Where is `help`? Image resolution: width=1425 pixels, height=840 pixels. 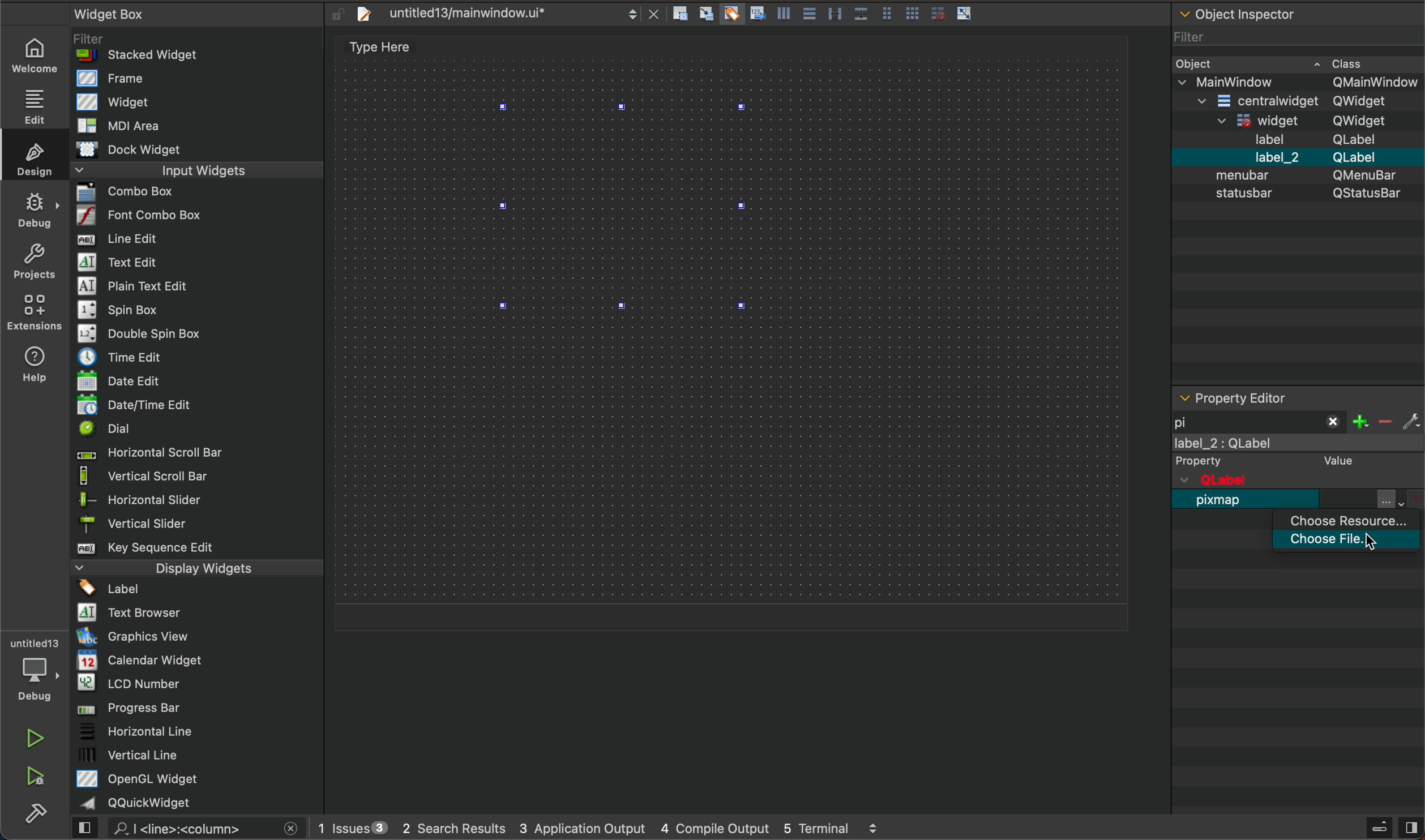 help is located at coordinates (40, 362).